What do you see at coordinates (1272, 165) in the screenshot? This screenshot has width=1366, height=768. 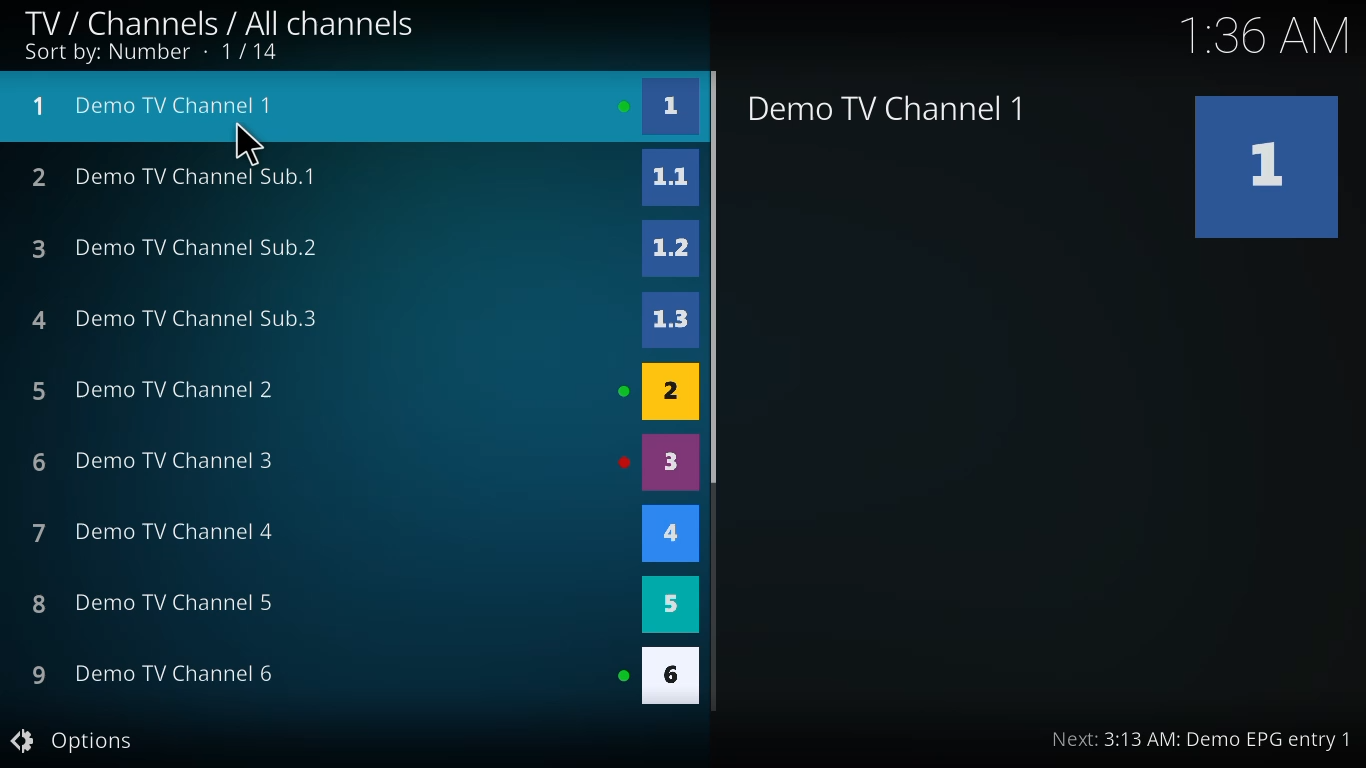 I see `1` at bounding box center [1272, 165].